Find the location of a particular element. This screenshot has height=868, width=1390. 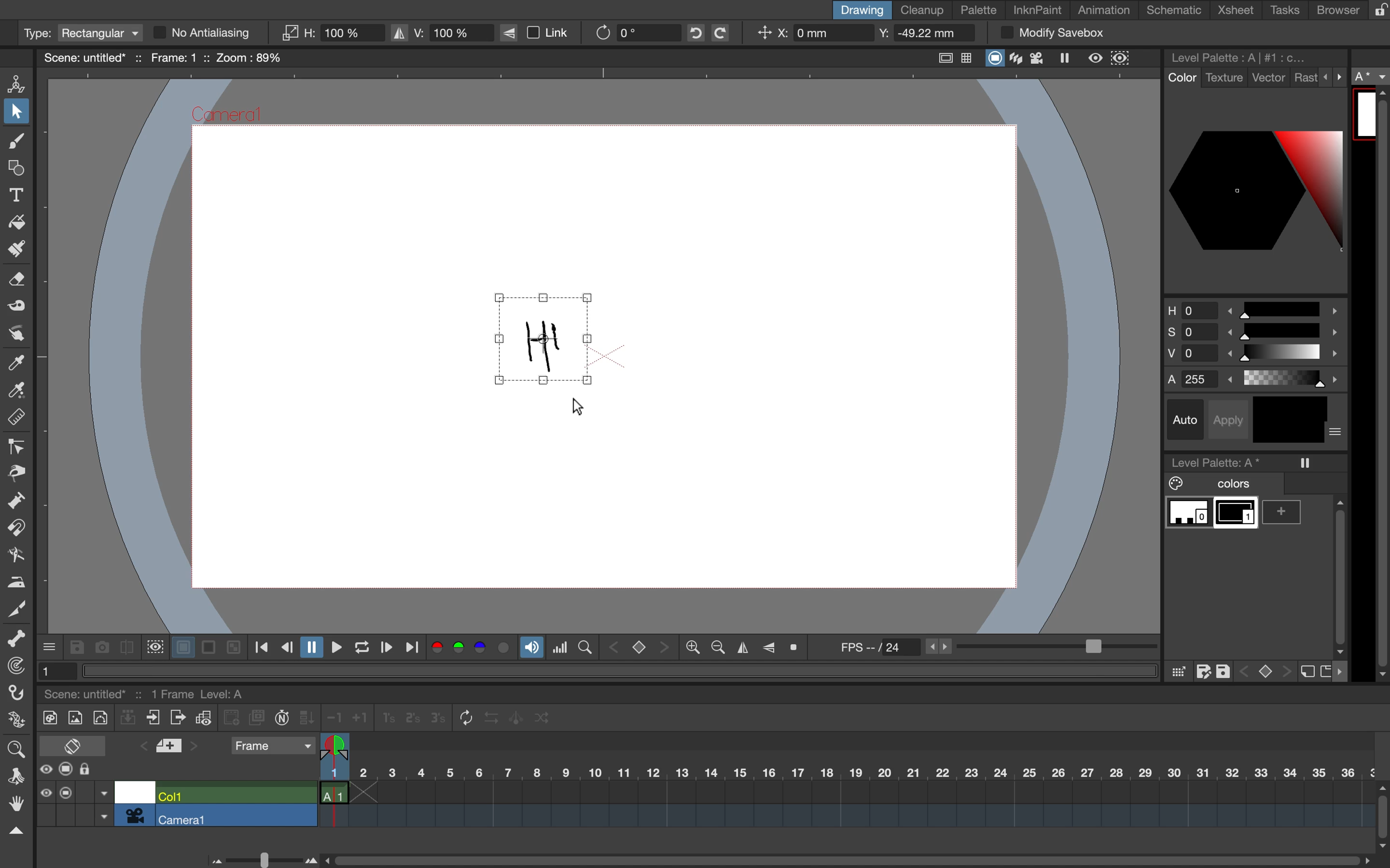

reverse is located at coordinates (491, 718).